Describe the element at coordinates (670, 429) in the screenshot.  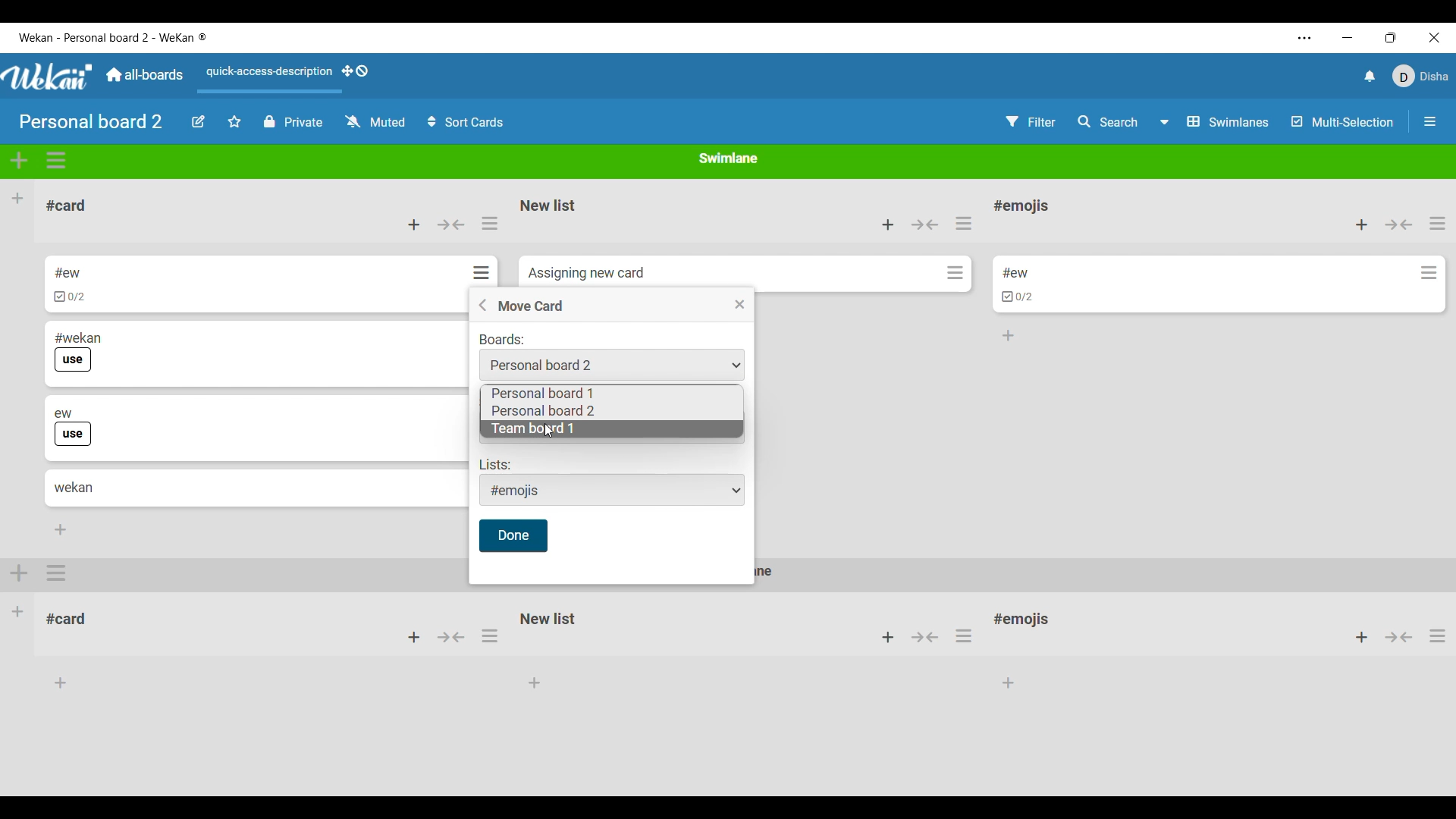
I see `Board highlighted by cursor` at that location.